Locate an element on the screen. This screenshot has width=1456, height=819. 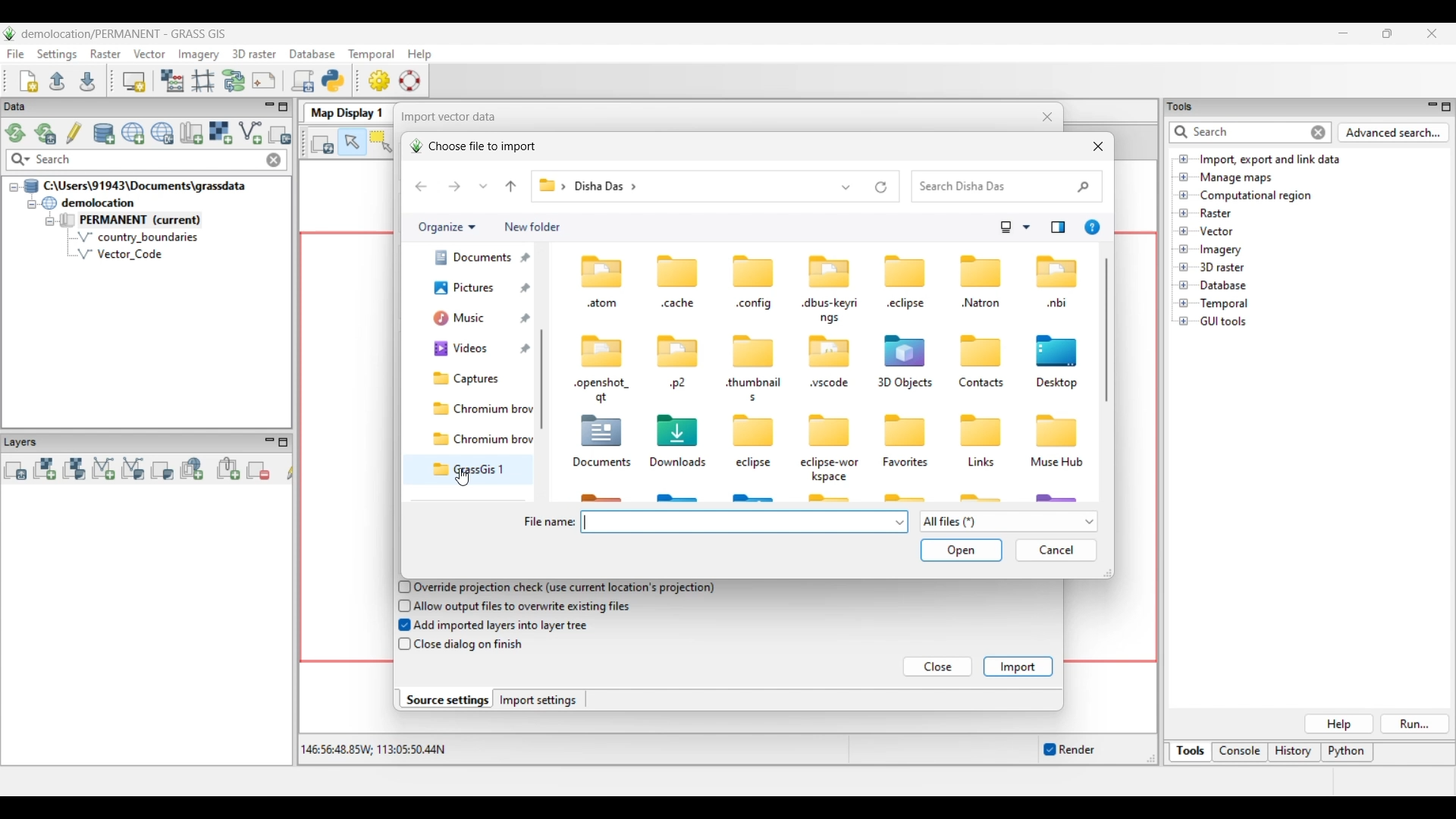
3D raster menu is located at coordinates (254, 53).